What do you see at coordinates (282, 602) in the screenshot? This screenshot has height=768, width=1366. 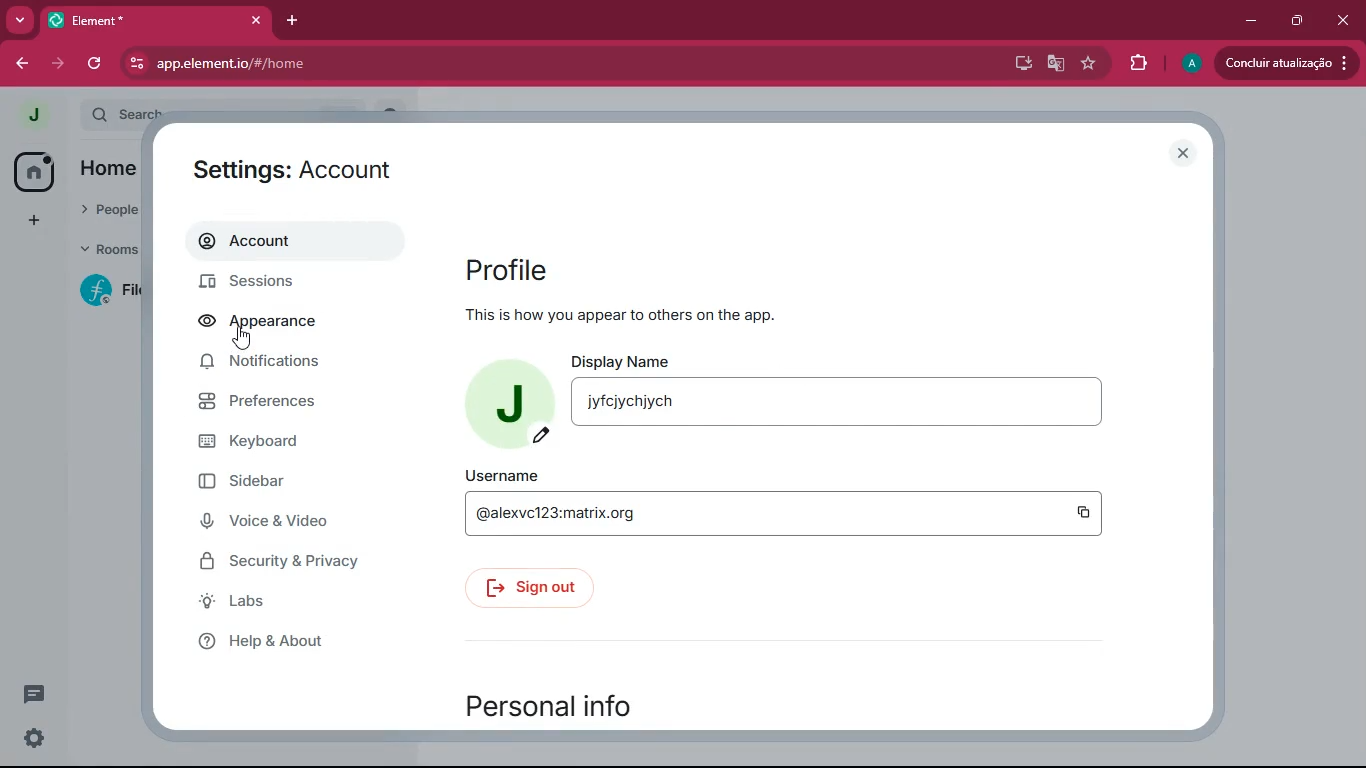 I see `labs` at bounding box center [282, 602].